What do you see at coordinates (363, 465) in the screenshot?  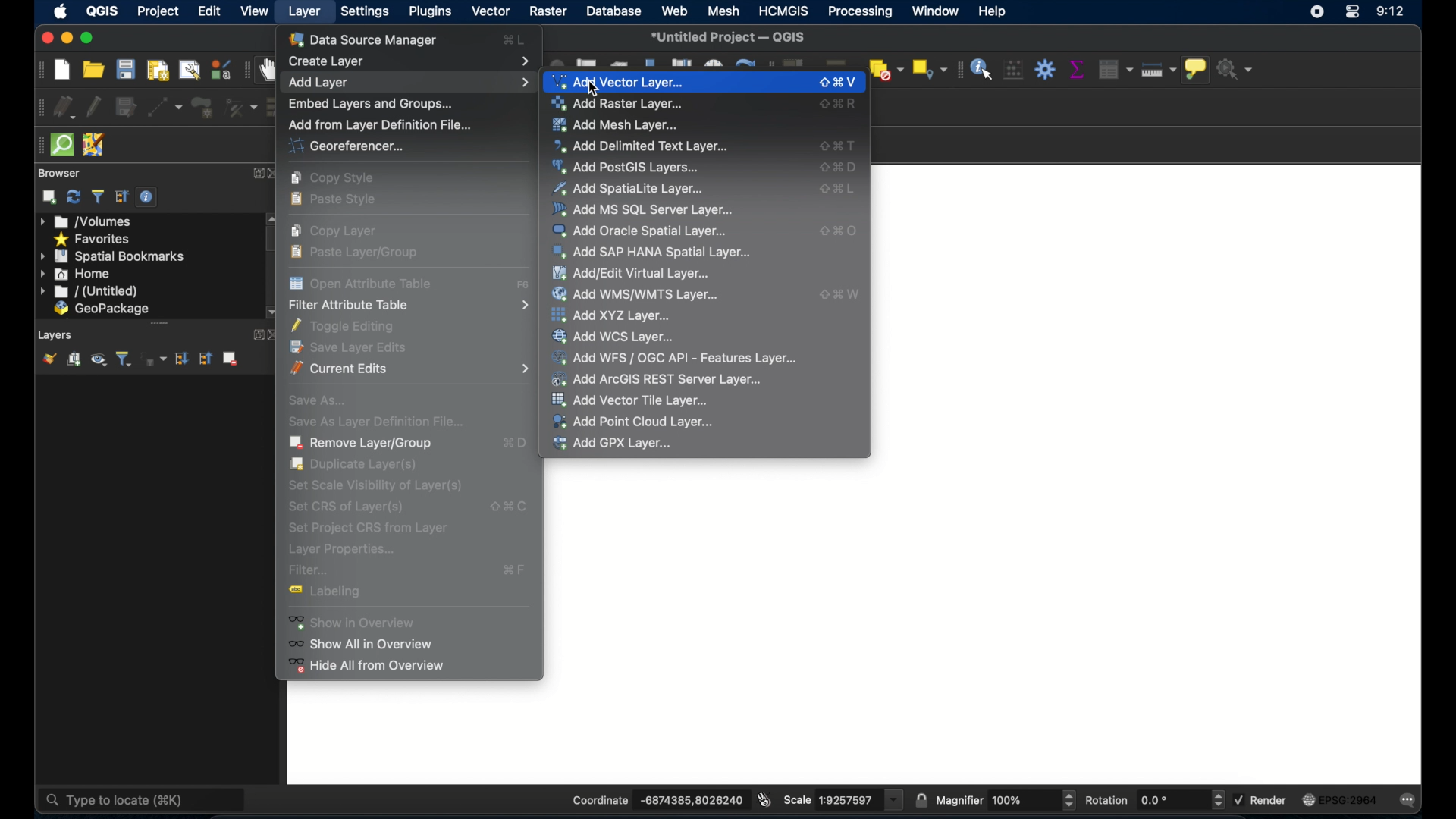 I see `Duplicate Layer(s)` at bounding box center [363, 465].